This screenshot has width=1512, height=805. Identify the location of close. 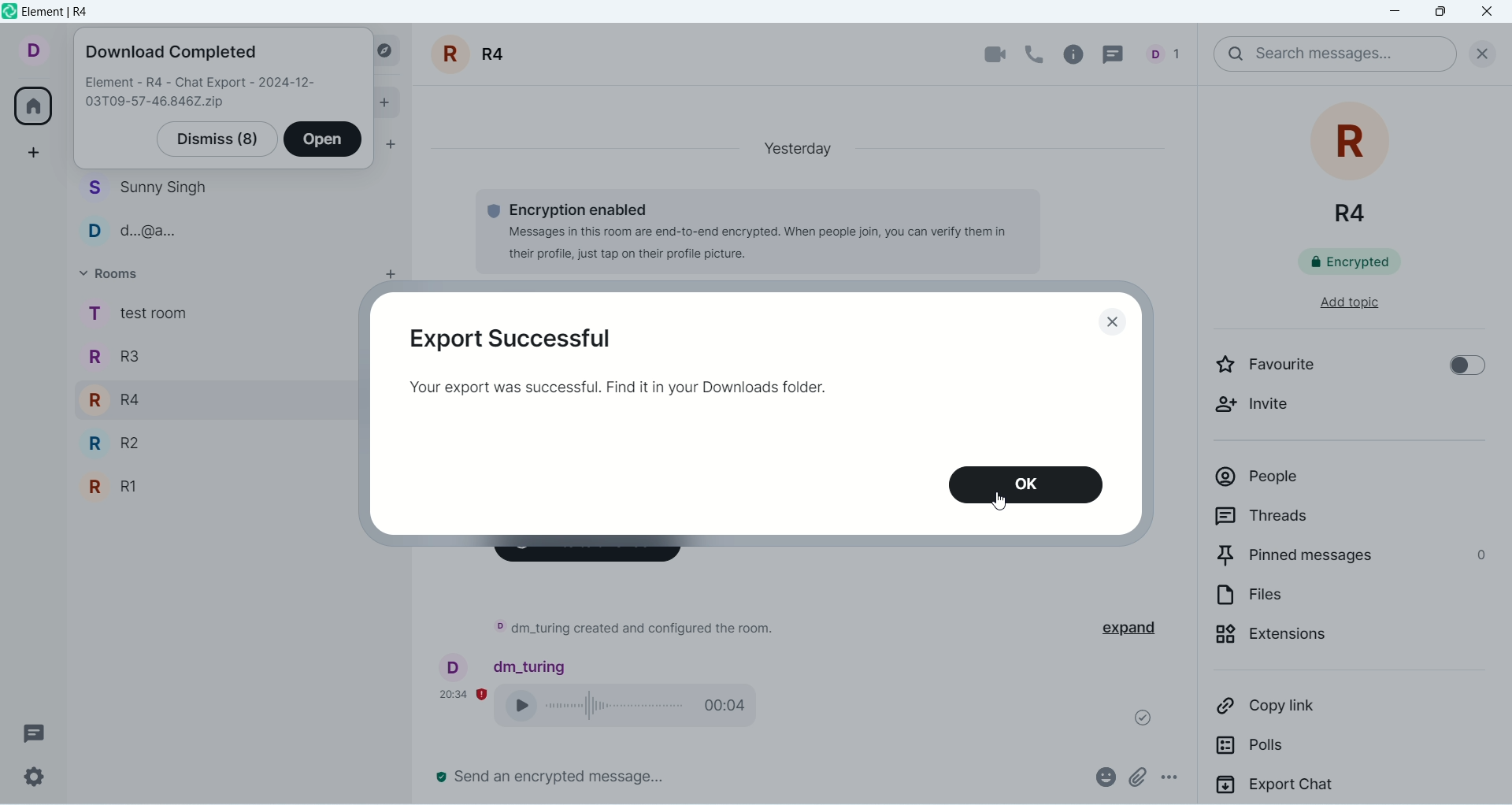
(1116, 322).